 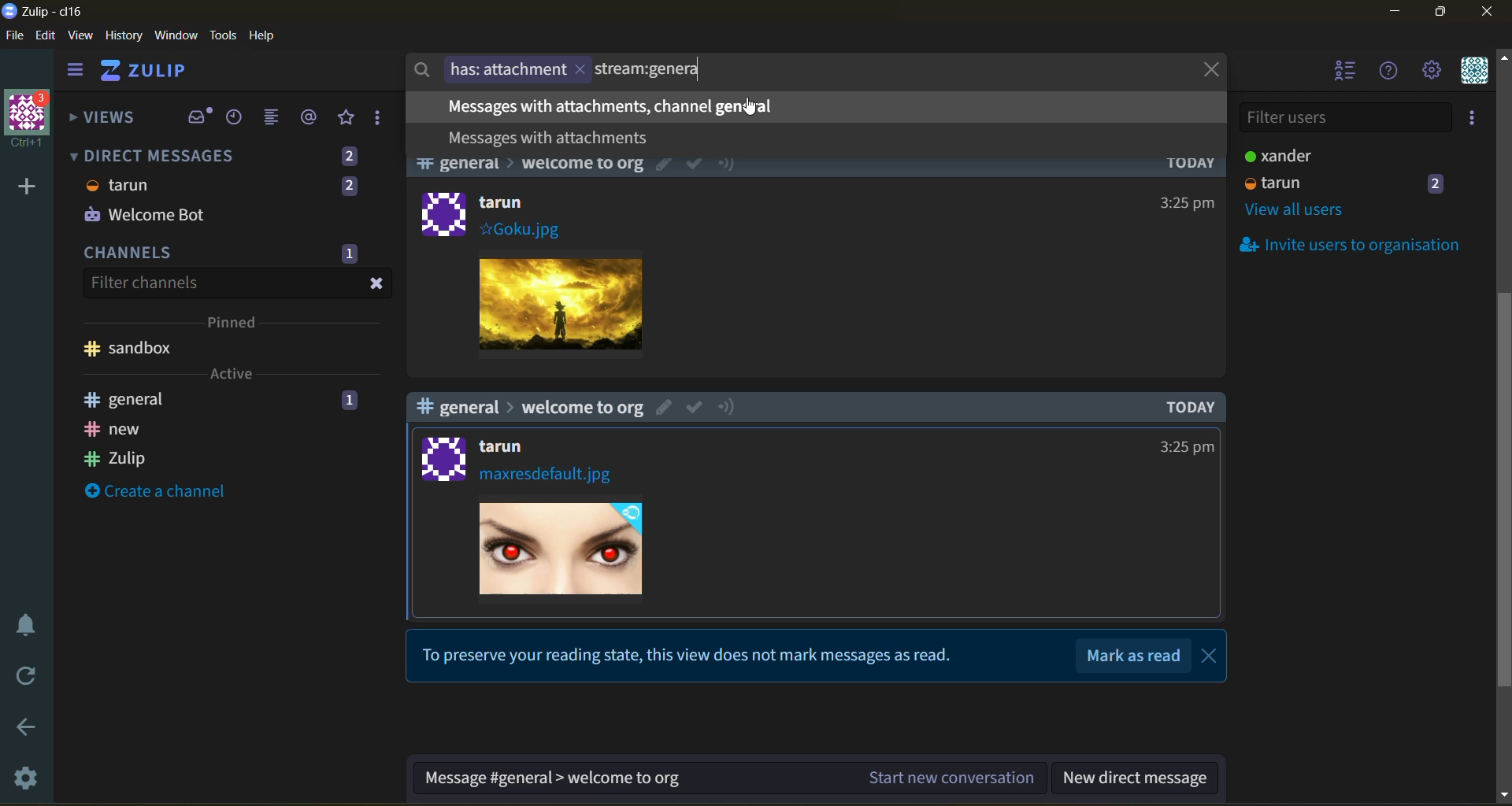 What do you see at coordinates (223, 35) in the screenshot?
I see `tools` at bounding box center [223, 35].